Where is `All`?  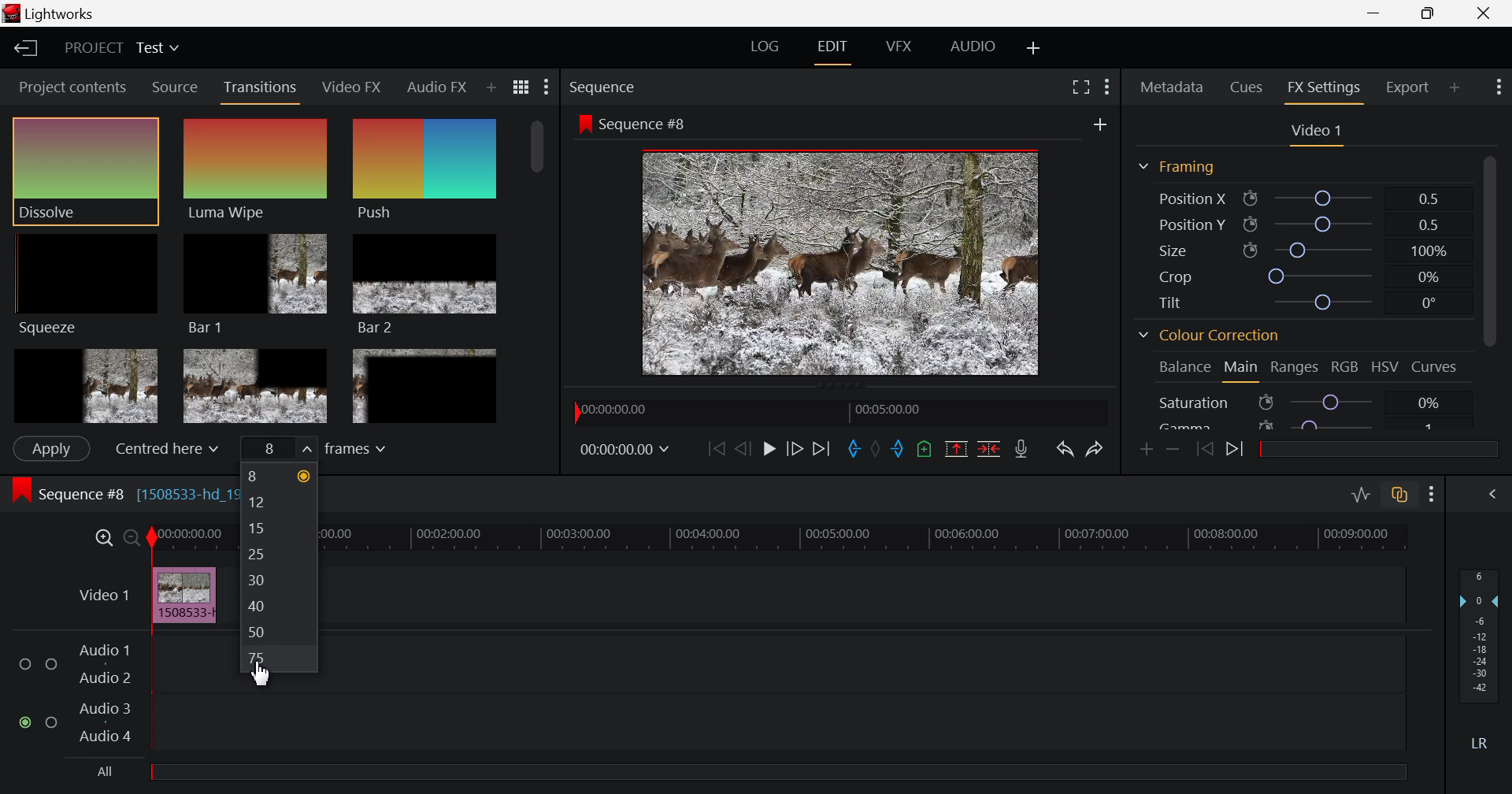
All is located at coordinates (744, 776).